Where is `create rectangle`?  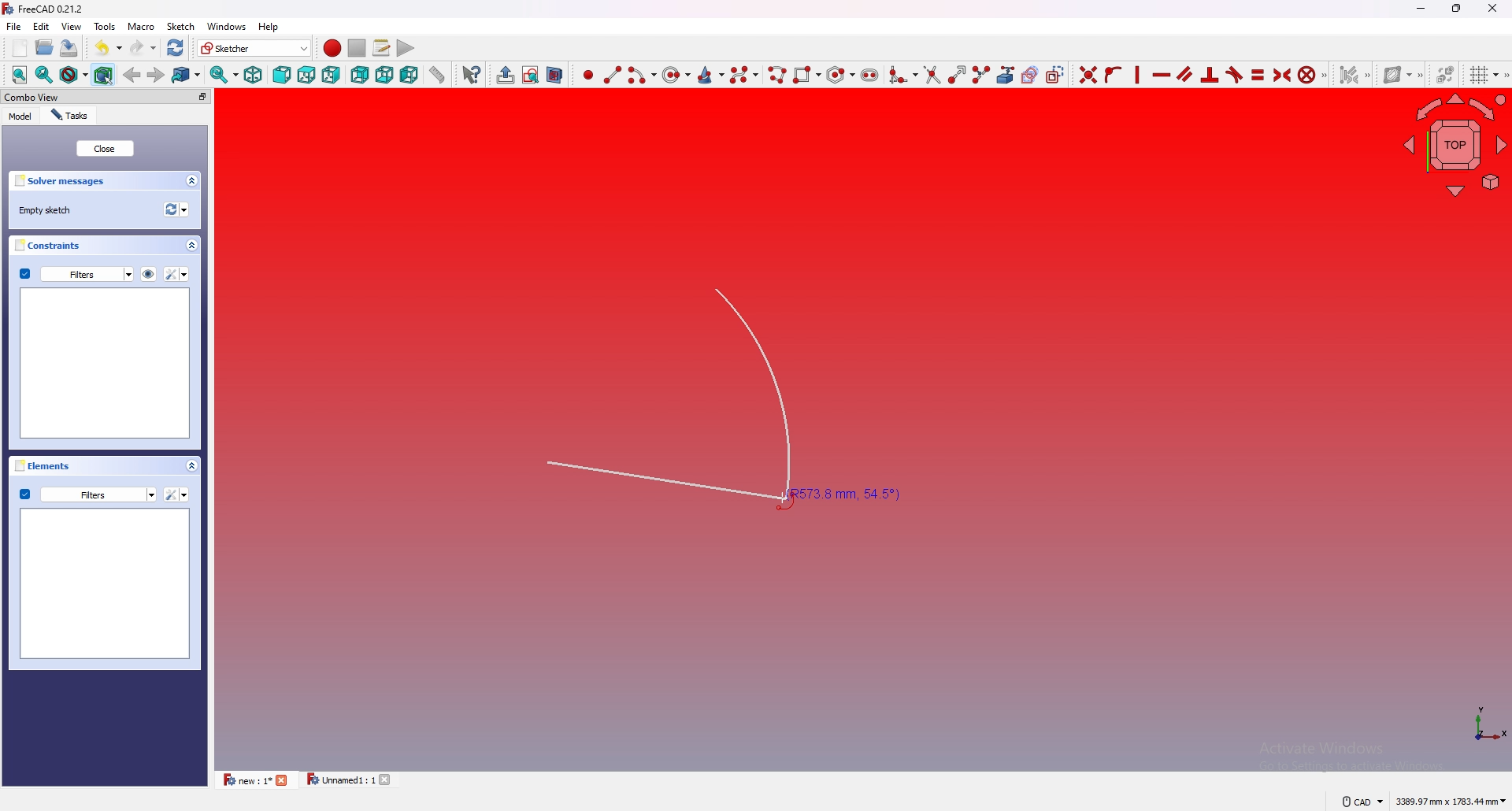 create rectangle is located at coordinates (805, 75).